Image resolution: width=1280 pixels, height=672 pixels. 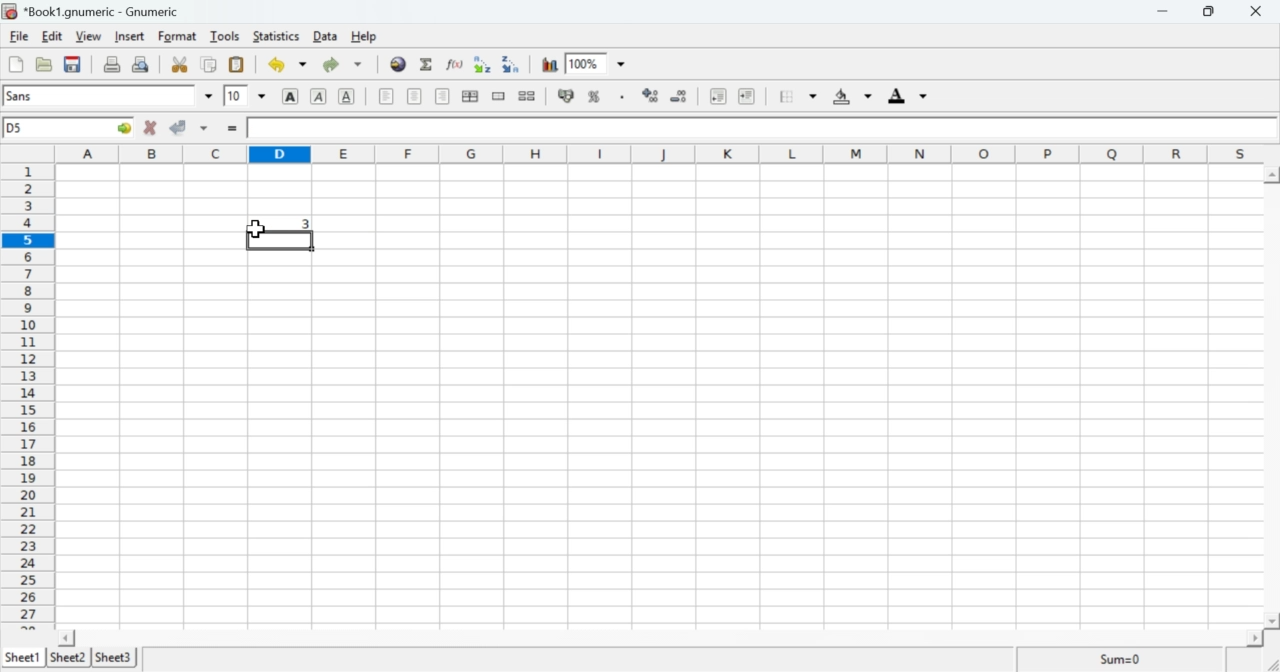 What do you see at coordinates (72, 65) in the screenshot?
I see `Save` at bounding box center [72, 65].